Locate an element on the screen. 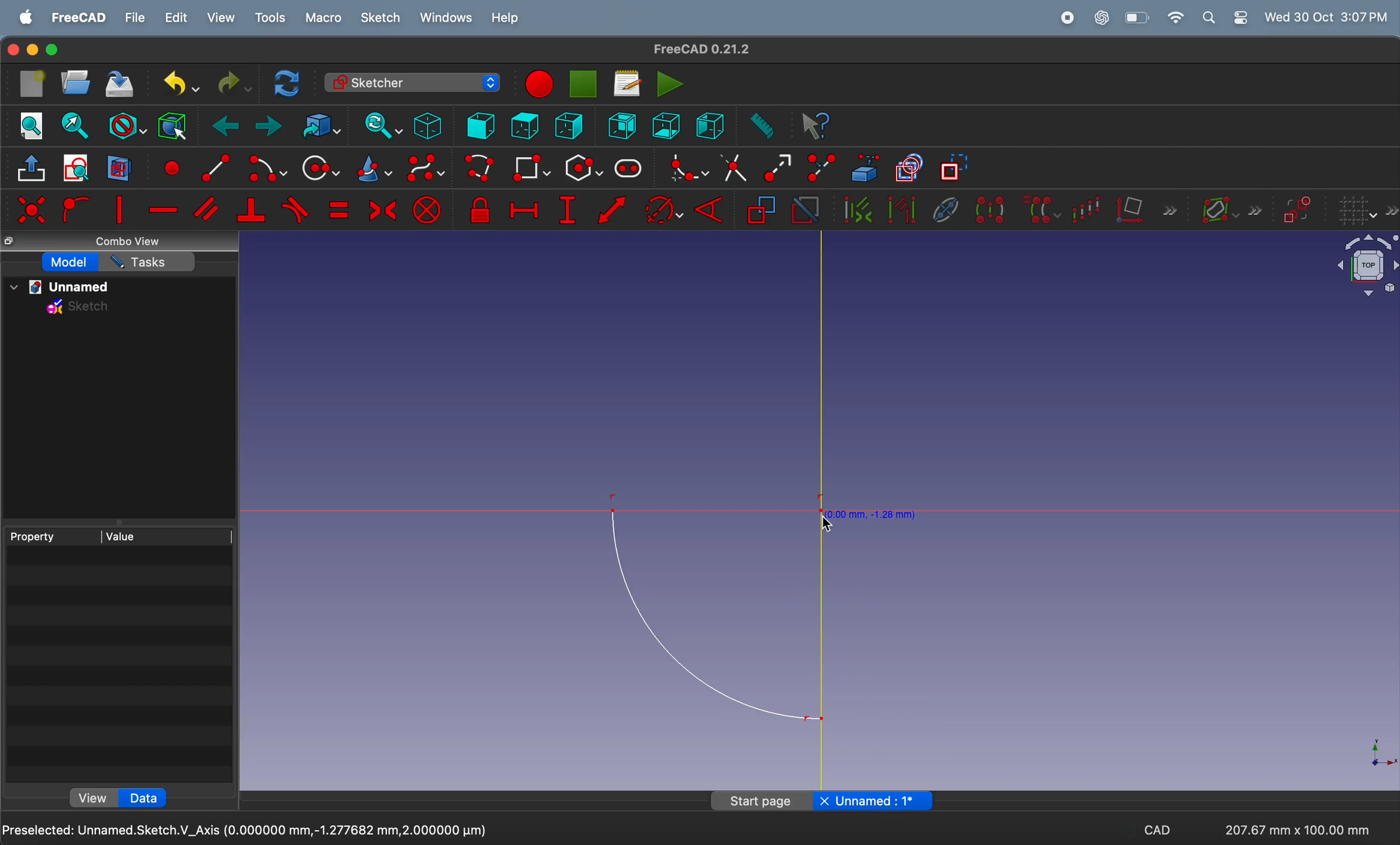  right view is located at coordinates (710, 124).